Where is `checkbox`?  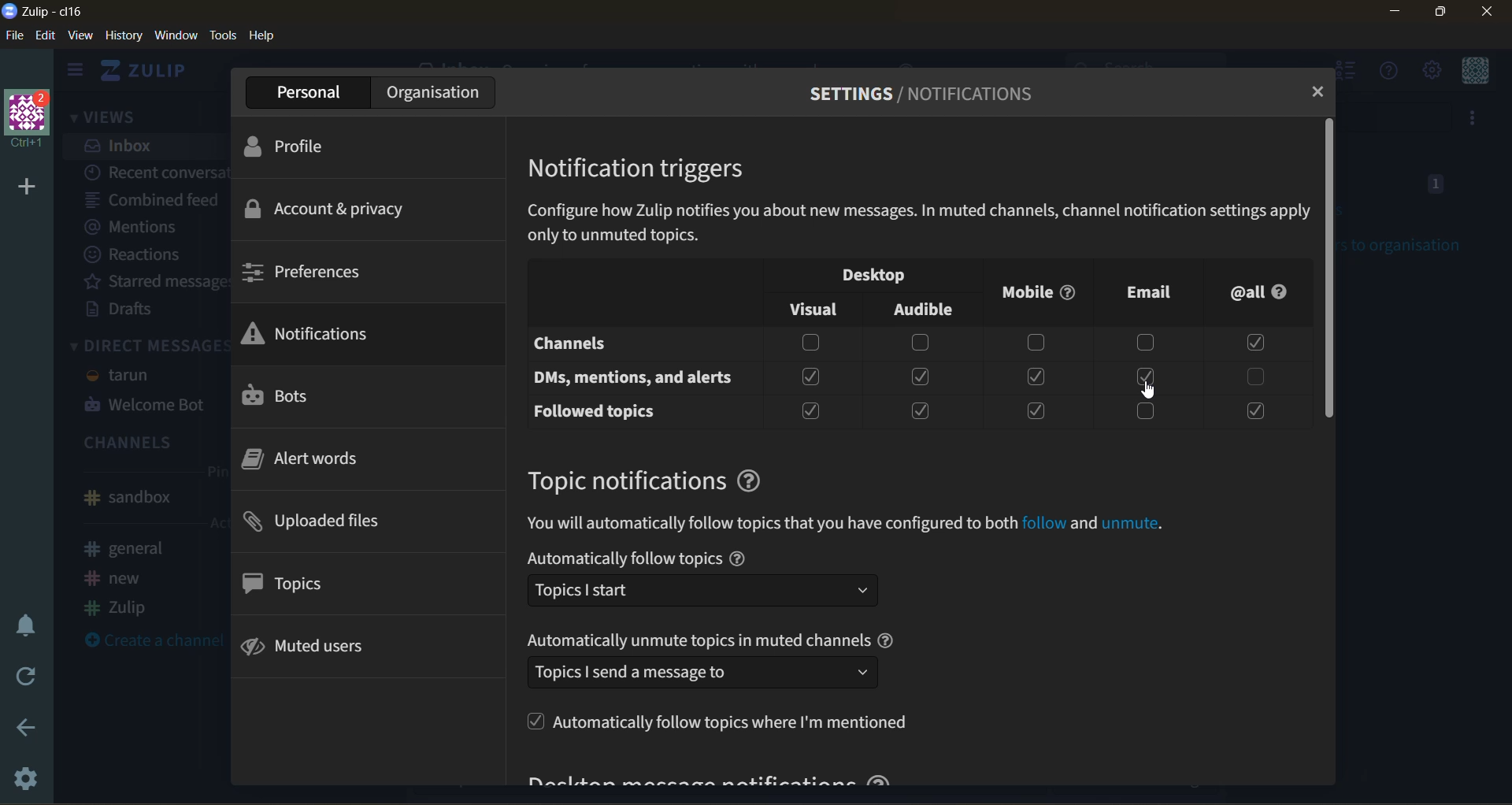 checkbox is located at coordinates (806, 343).